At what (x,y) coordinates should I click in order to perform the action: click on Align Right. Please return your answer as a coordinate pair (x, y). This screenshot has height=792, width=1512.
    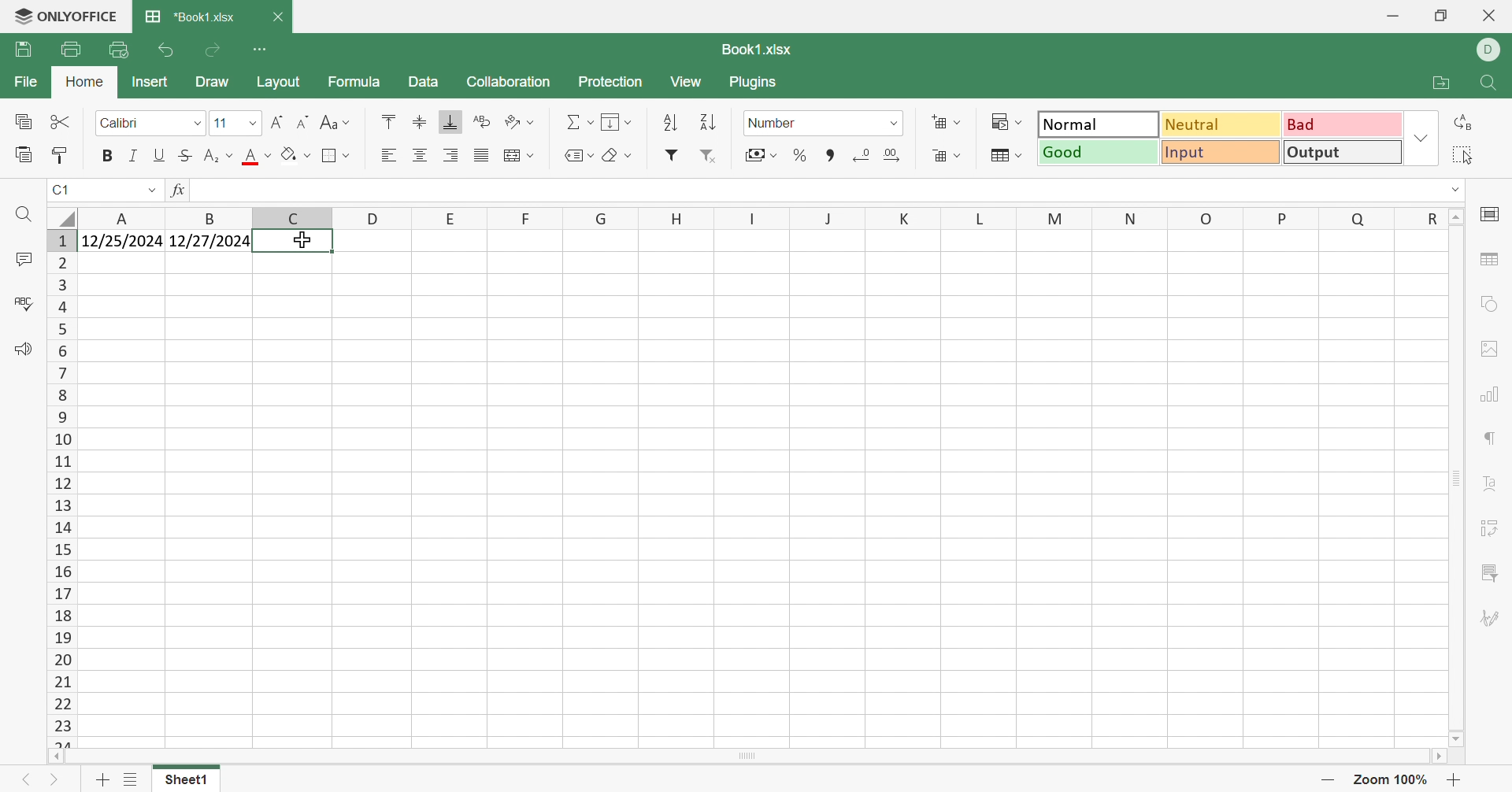
    Looking at the image, I should click on (450, 156).